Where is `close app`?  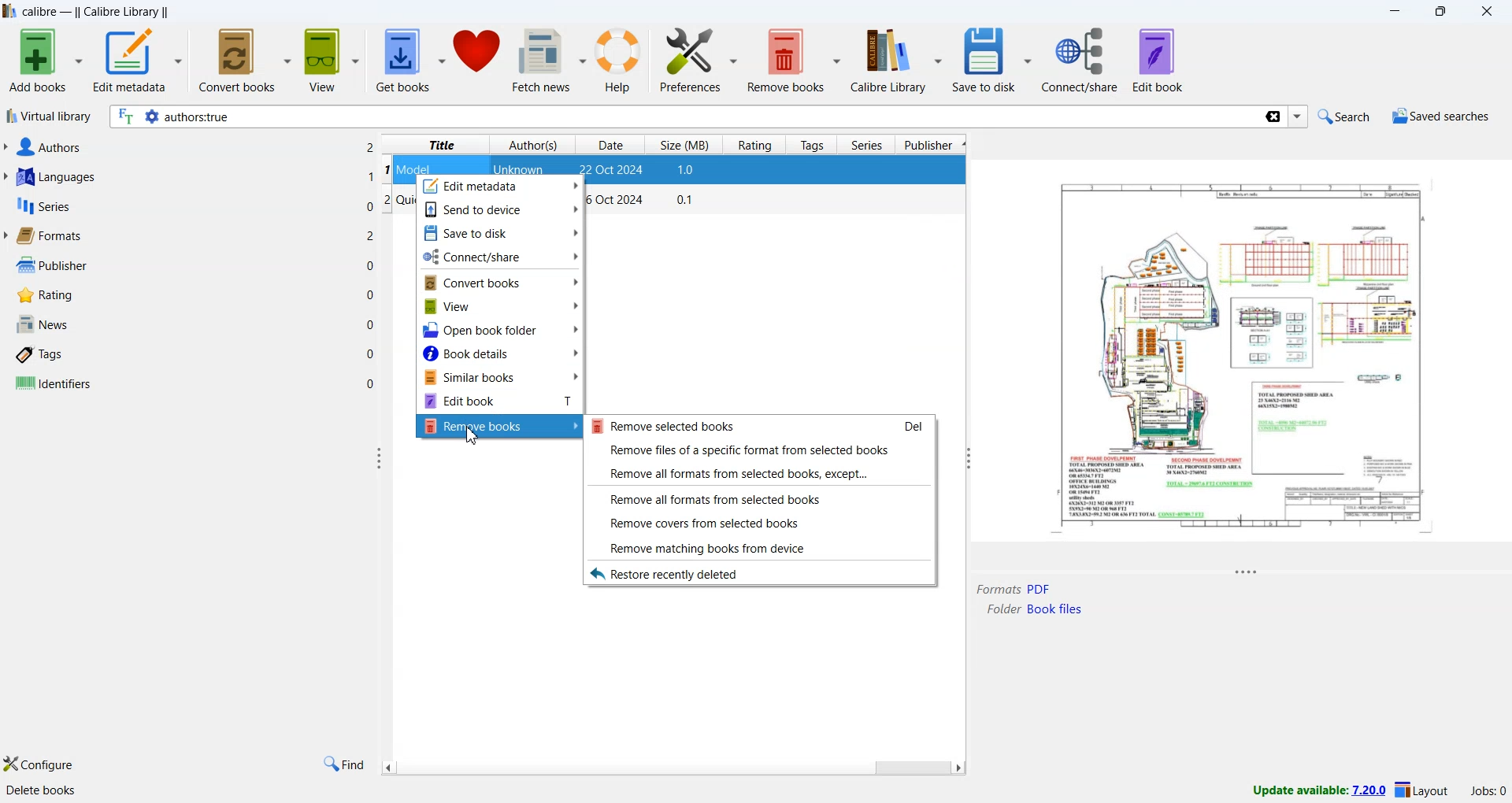
close app is located at coordinates (1489, 12).